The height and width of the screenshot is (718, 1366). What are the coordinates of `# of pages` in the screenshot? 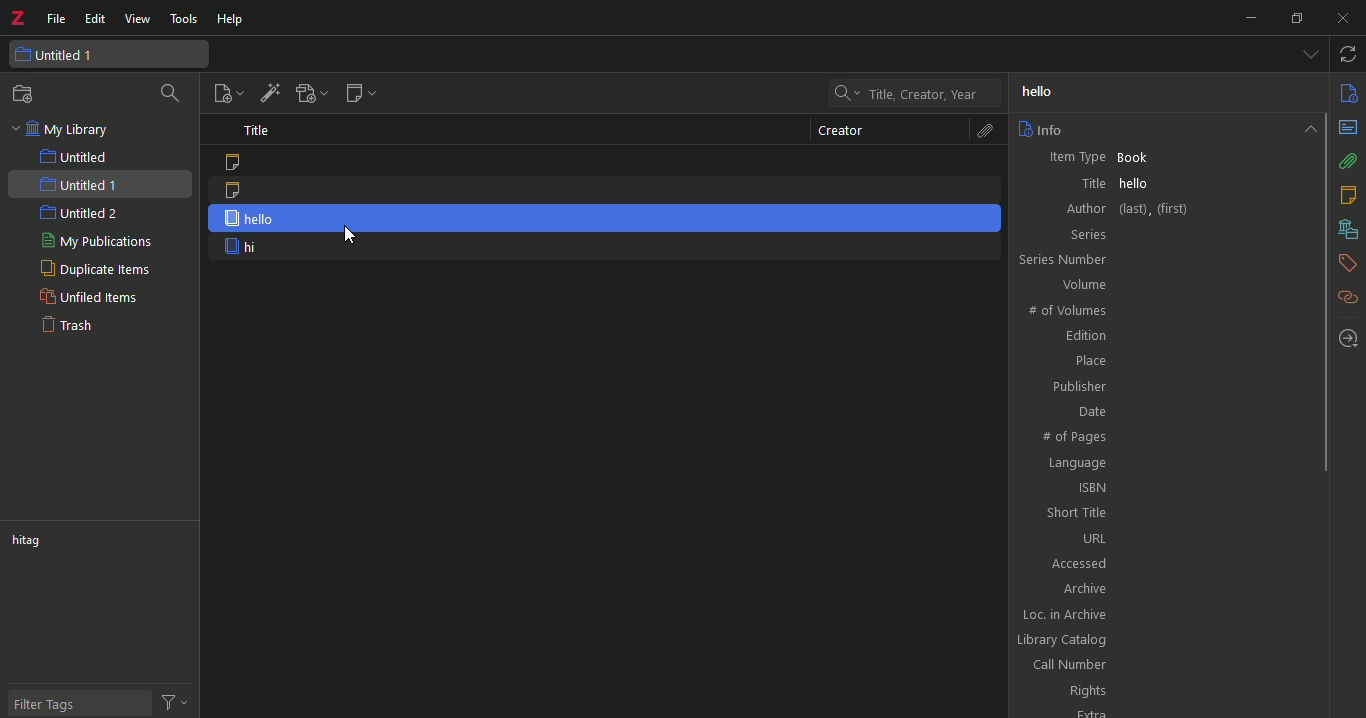 It's located at (1080, 437).